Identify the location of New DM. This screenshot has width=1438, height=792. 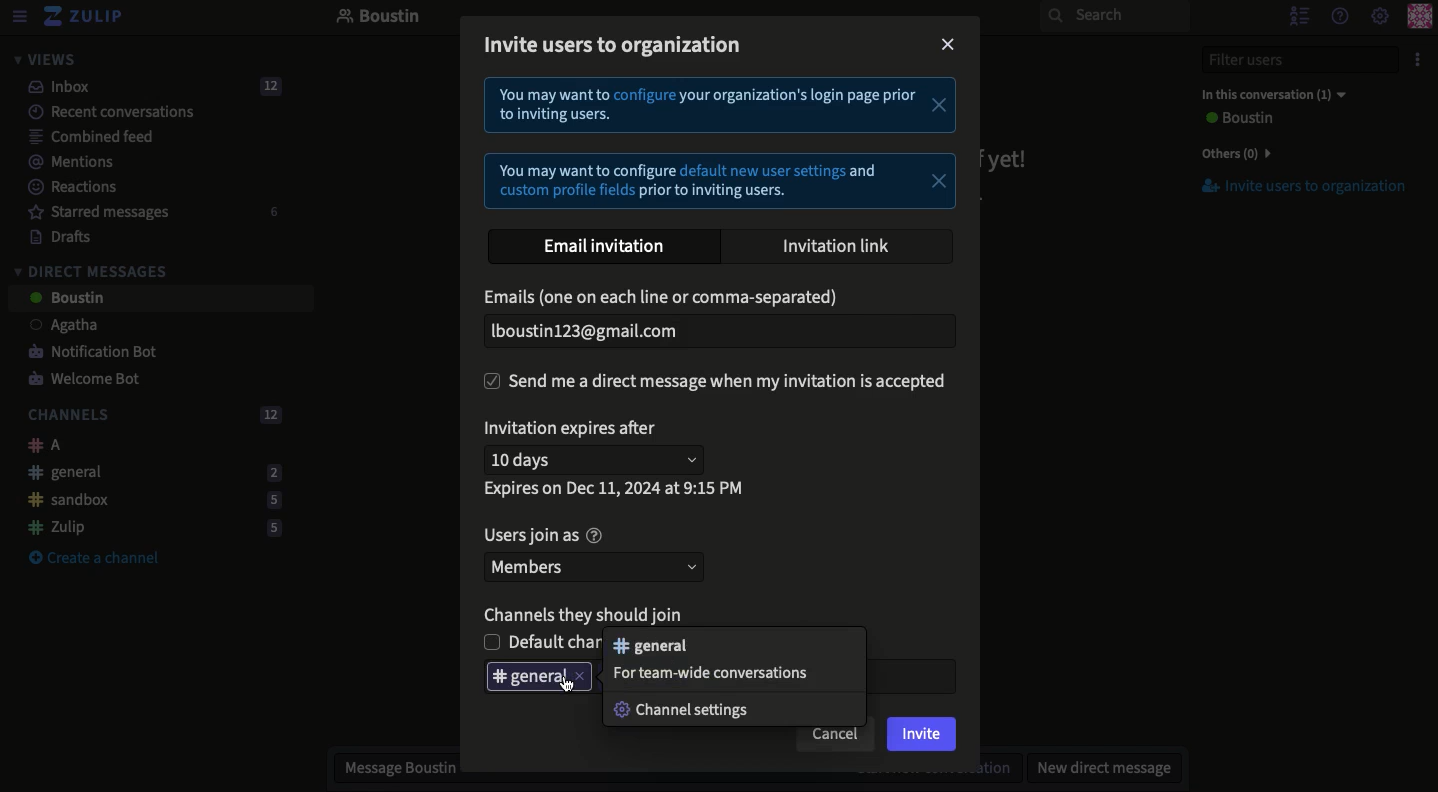
(1099, 767).